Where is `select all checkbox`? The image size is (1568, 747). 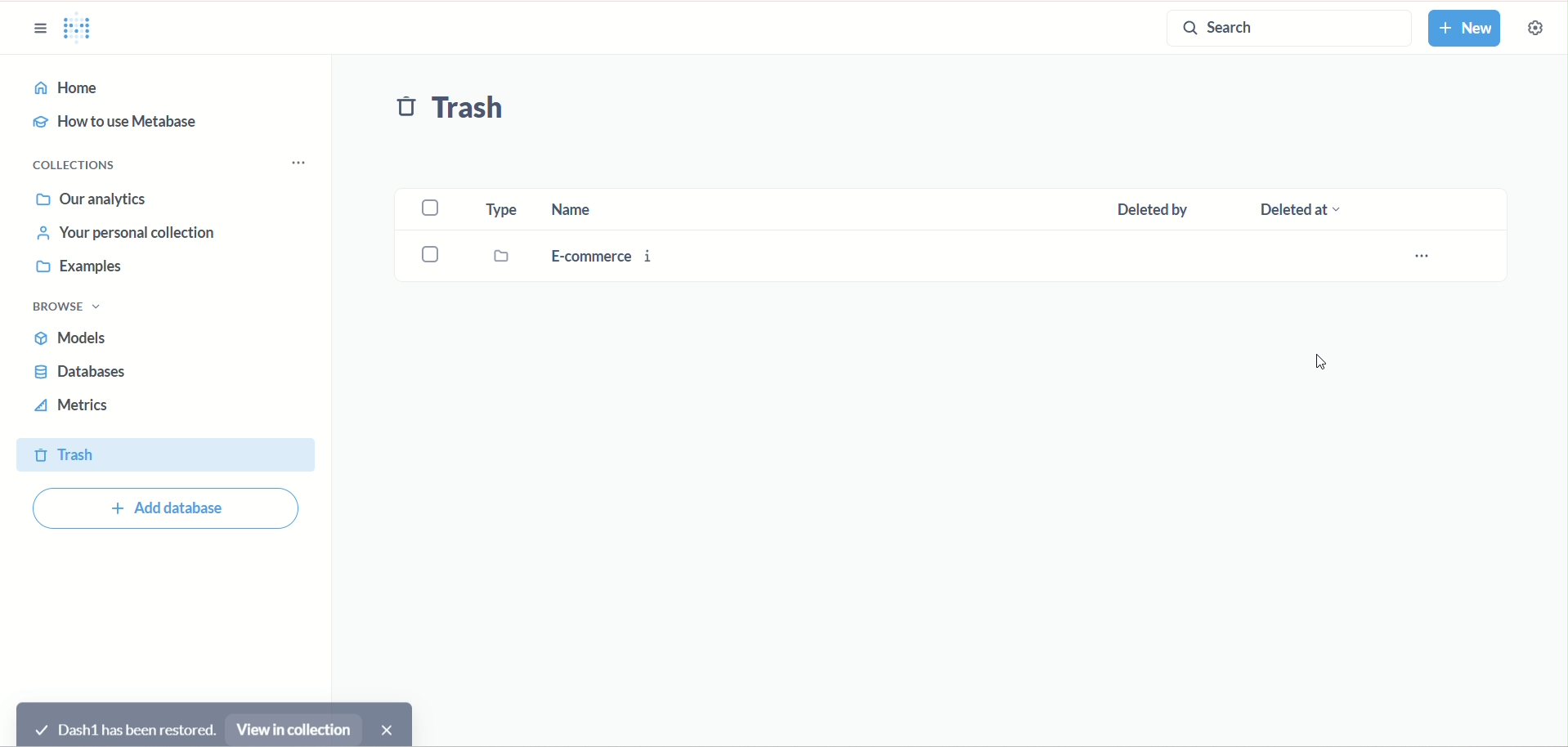
select all checkbox is located at coordinates (434, 207).